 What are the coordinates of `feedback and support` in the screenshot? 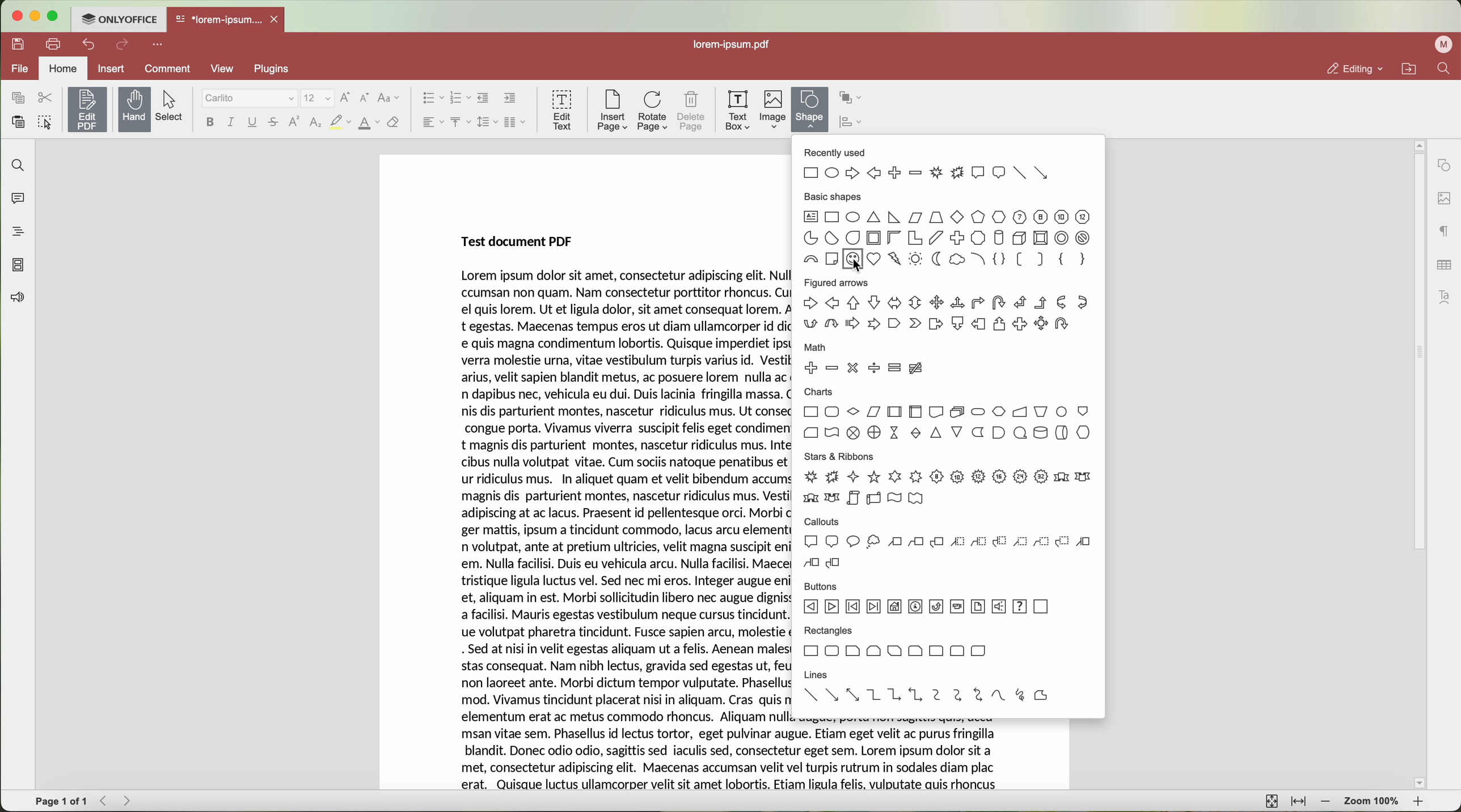 It's located at (18, 298).